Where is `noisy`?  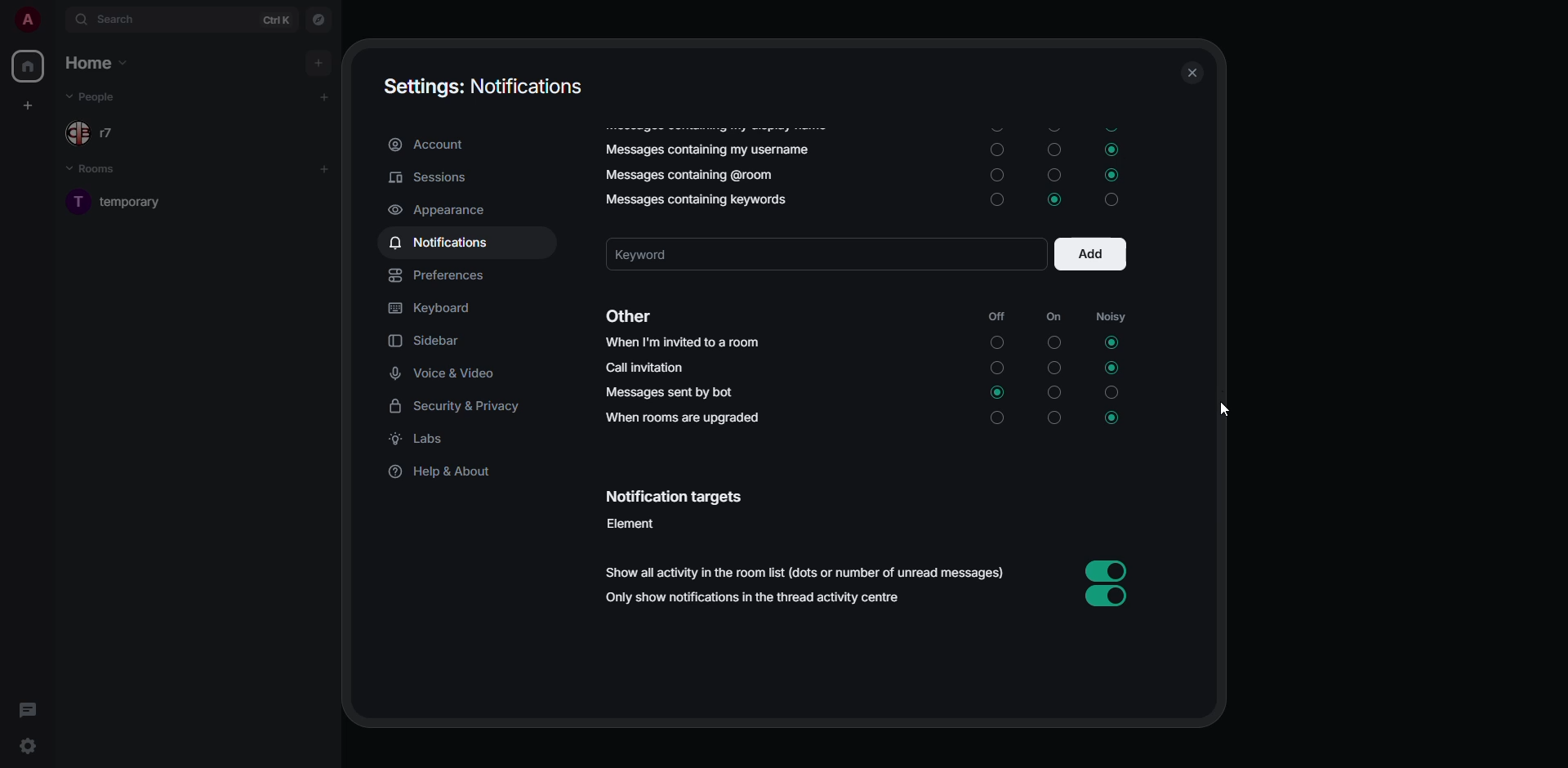 noisy is located at coordinates (1112, 395).